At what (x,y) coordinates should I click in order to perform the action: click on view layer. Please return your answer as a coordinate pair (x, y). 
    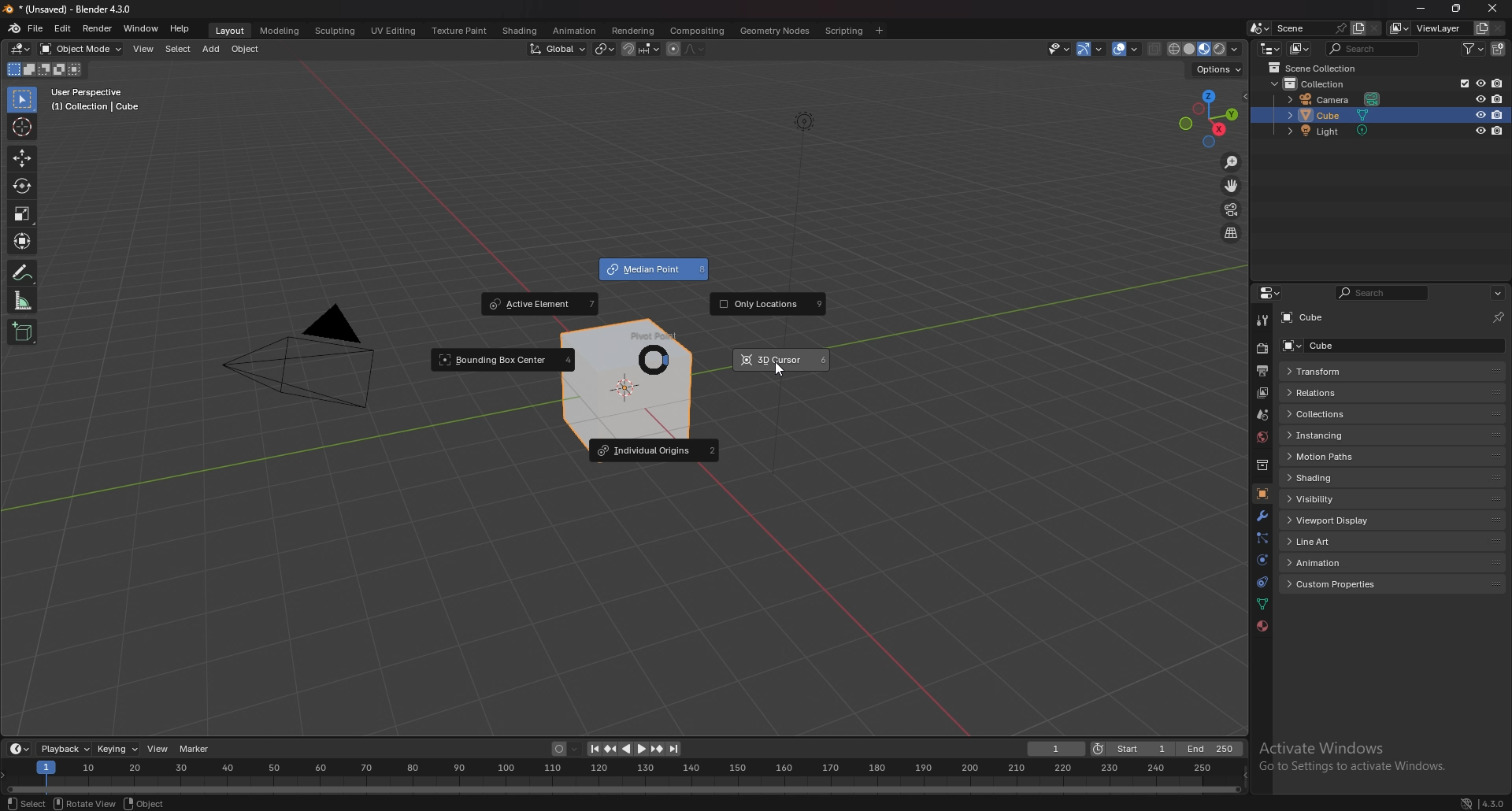
    Looking at the image, I should click on (1262, 393).